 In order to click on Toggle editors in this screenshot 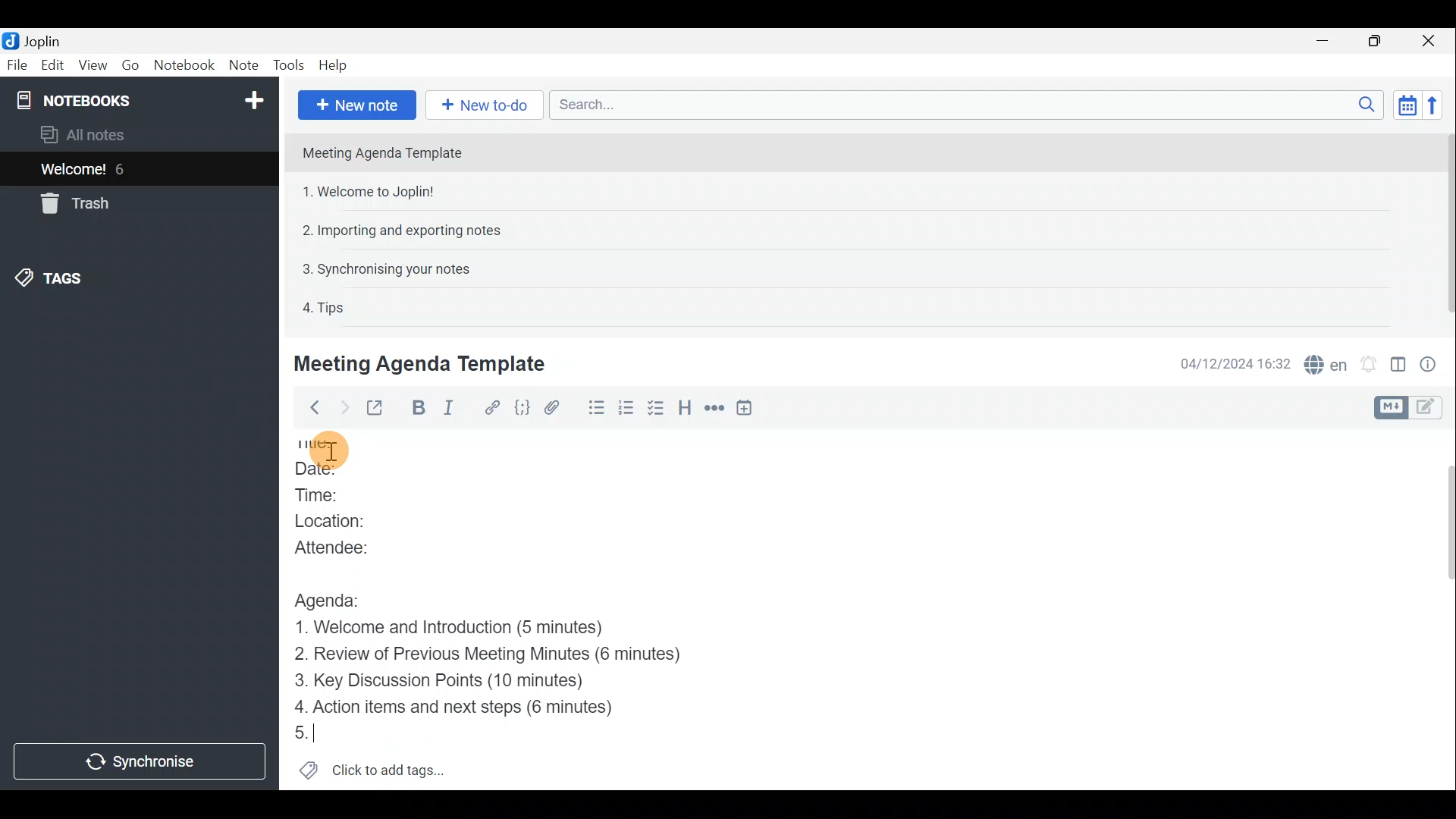, I will do `click(1389, 408)`.